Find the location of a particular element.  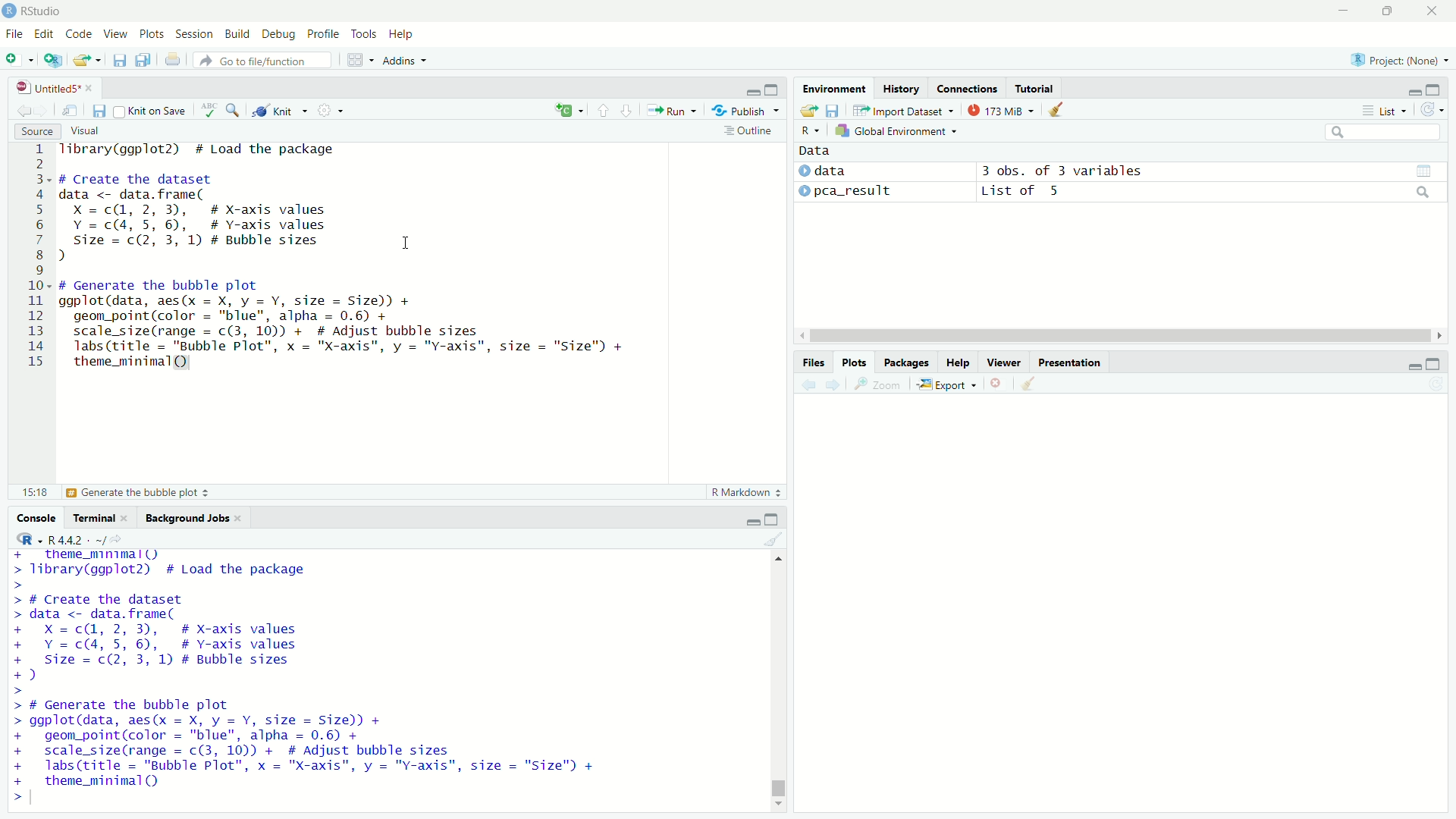

save workspace as is located at coordinates (833, 110).